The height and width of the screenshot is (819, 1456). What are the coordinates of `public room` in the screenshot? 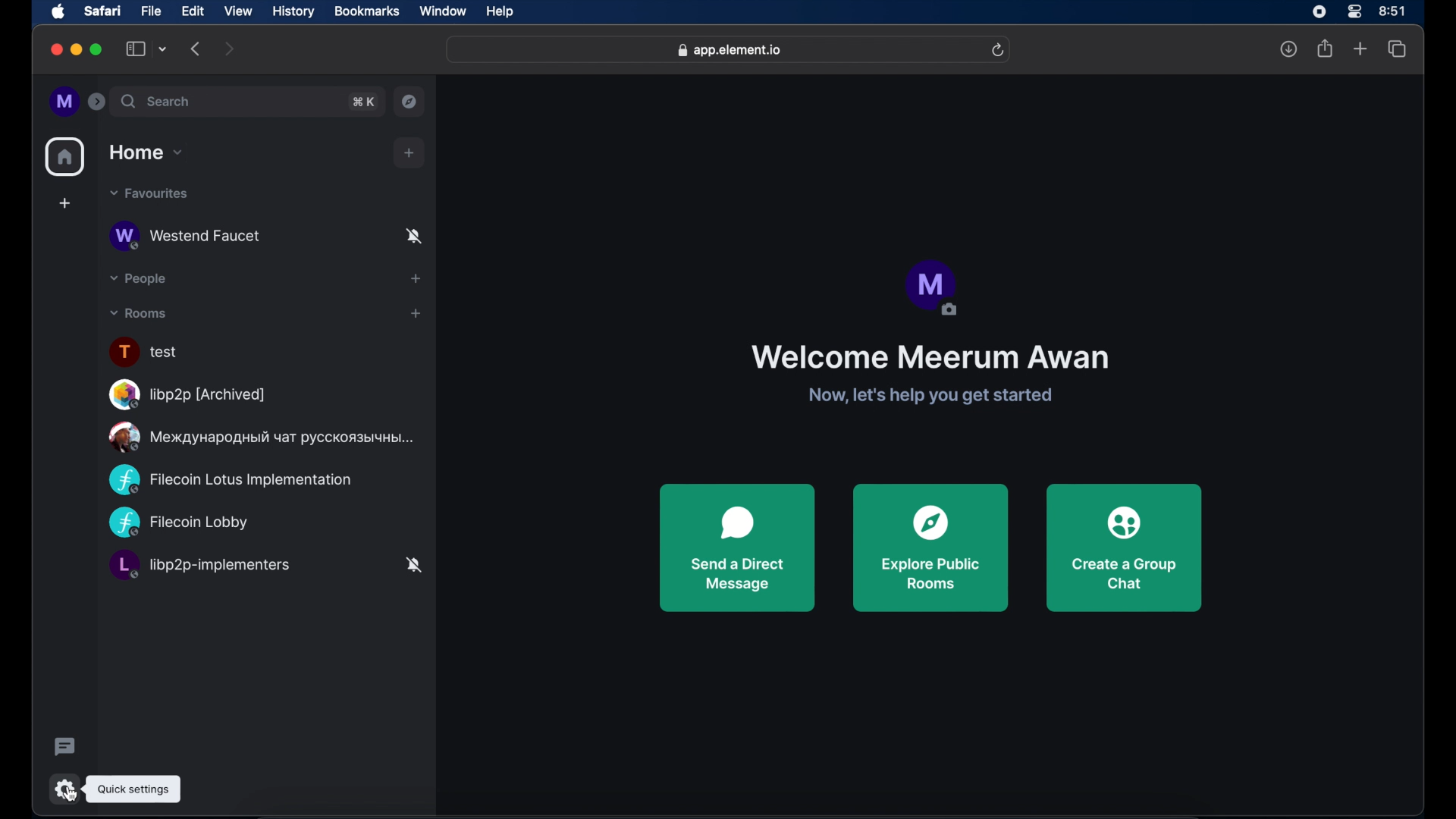 It's located at (261, 438).